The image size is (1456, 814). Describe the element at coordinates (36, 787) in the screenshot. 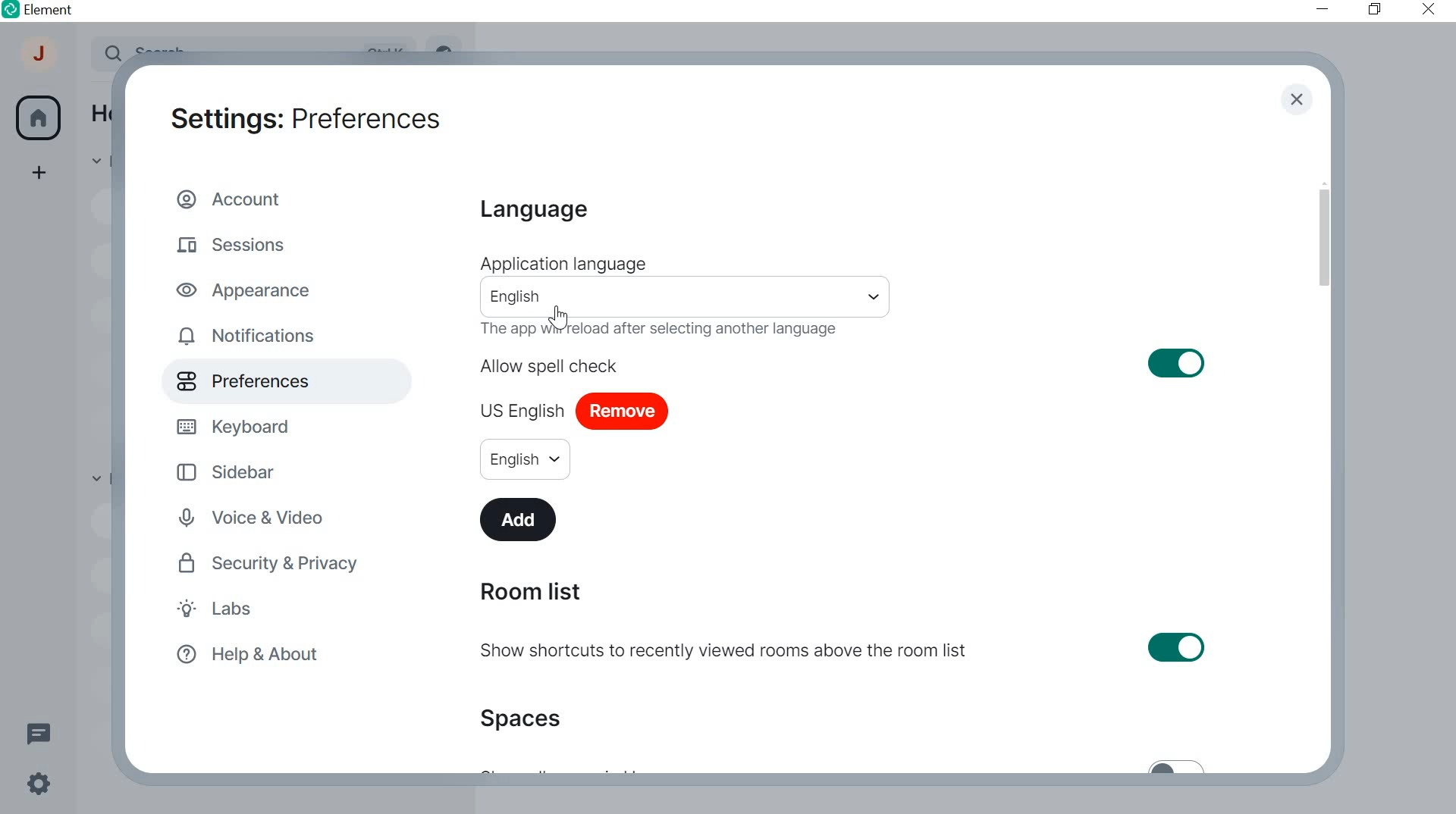

I see `settings` at that location.